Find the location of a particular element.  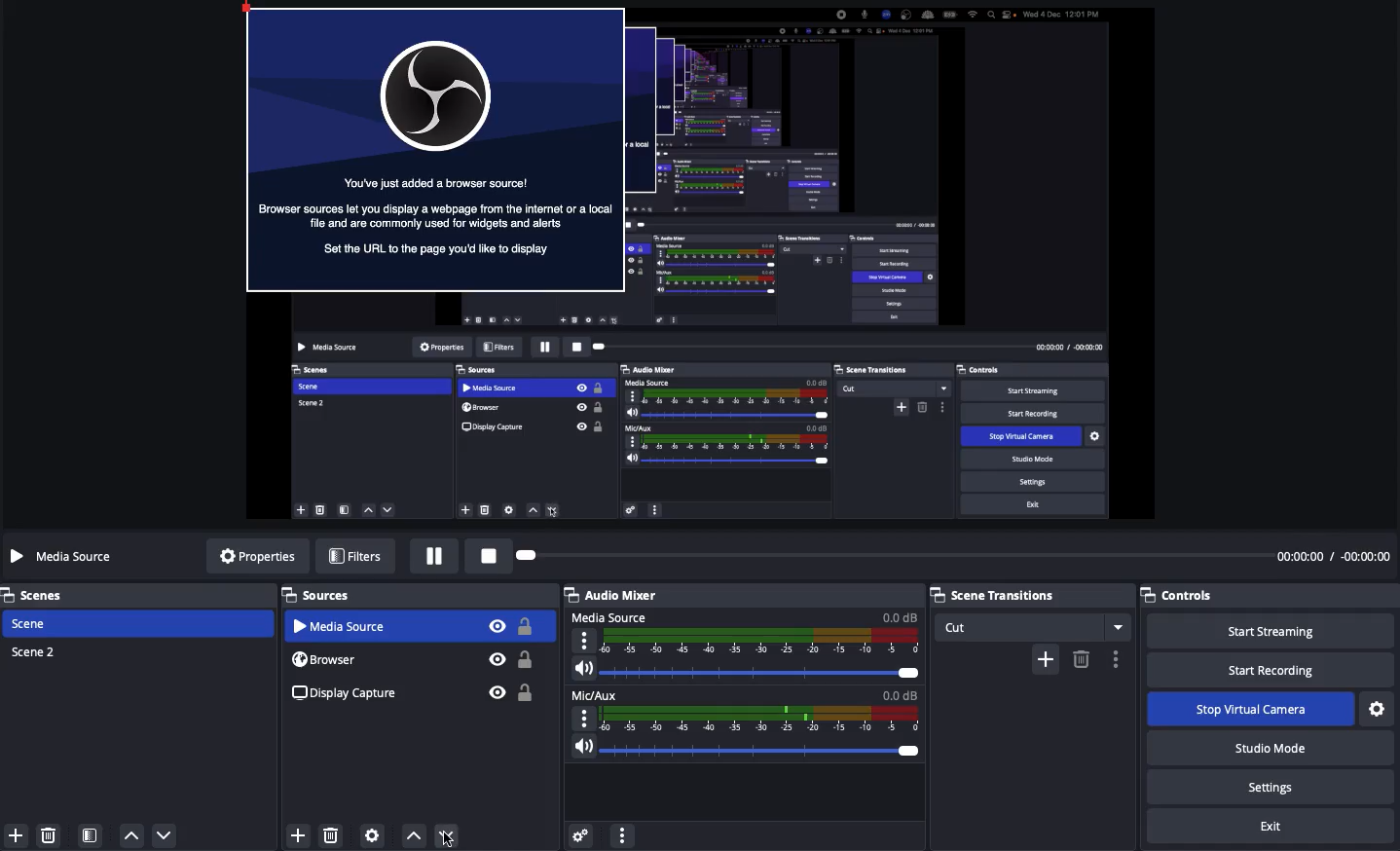

Advanced audio preferences  is located at coordinates (583, 837).